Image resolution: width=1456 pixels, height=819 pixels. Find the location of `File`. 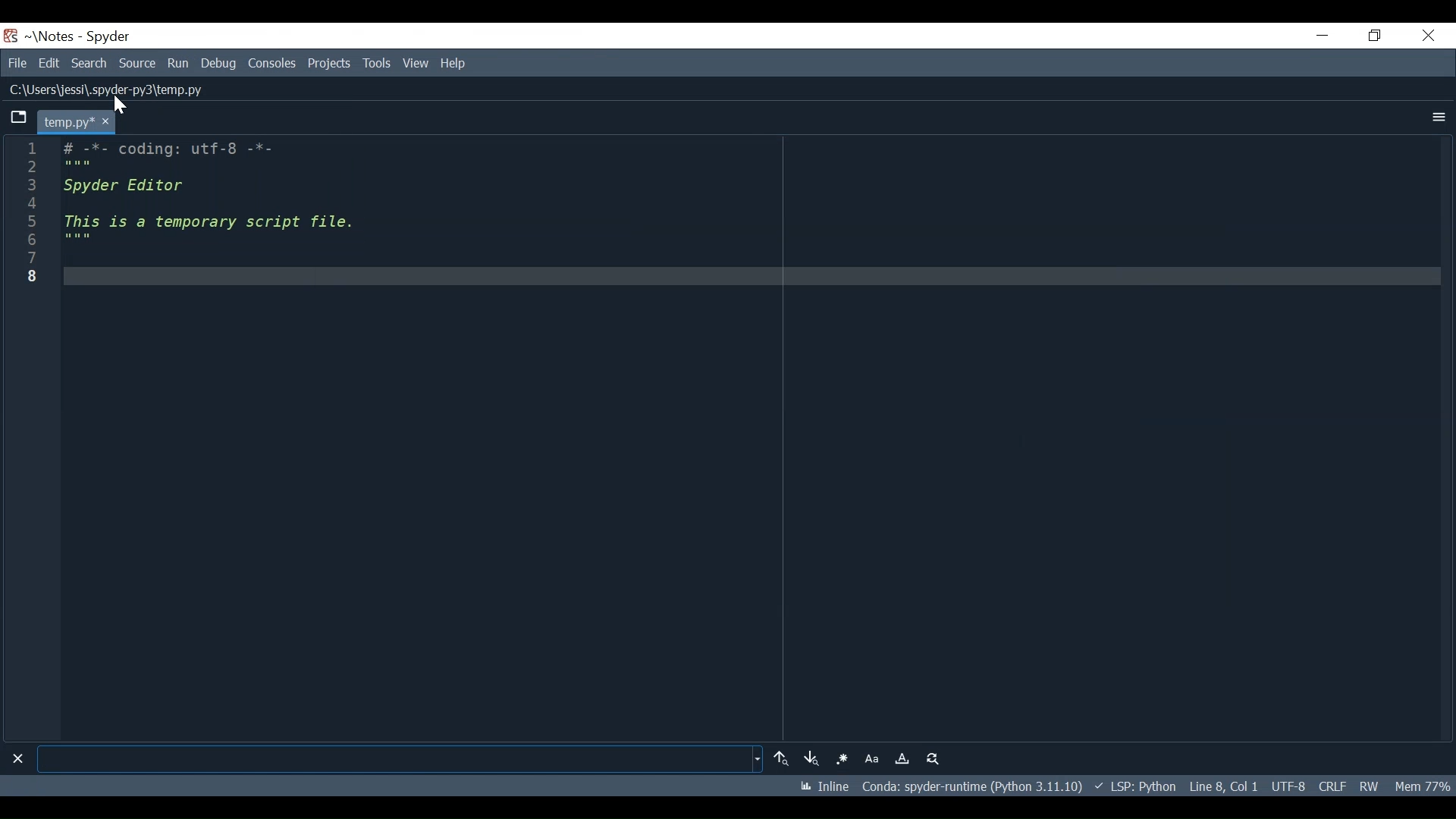

File is located at coordinates (14, 62).